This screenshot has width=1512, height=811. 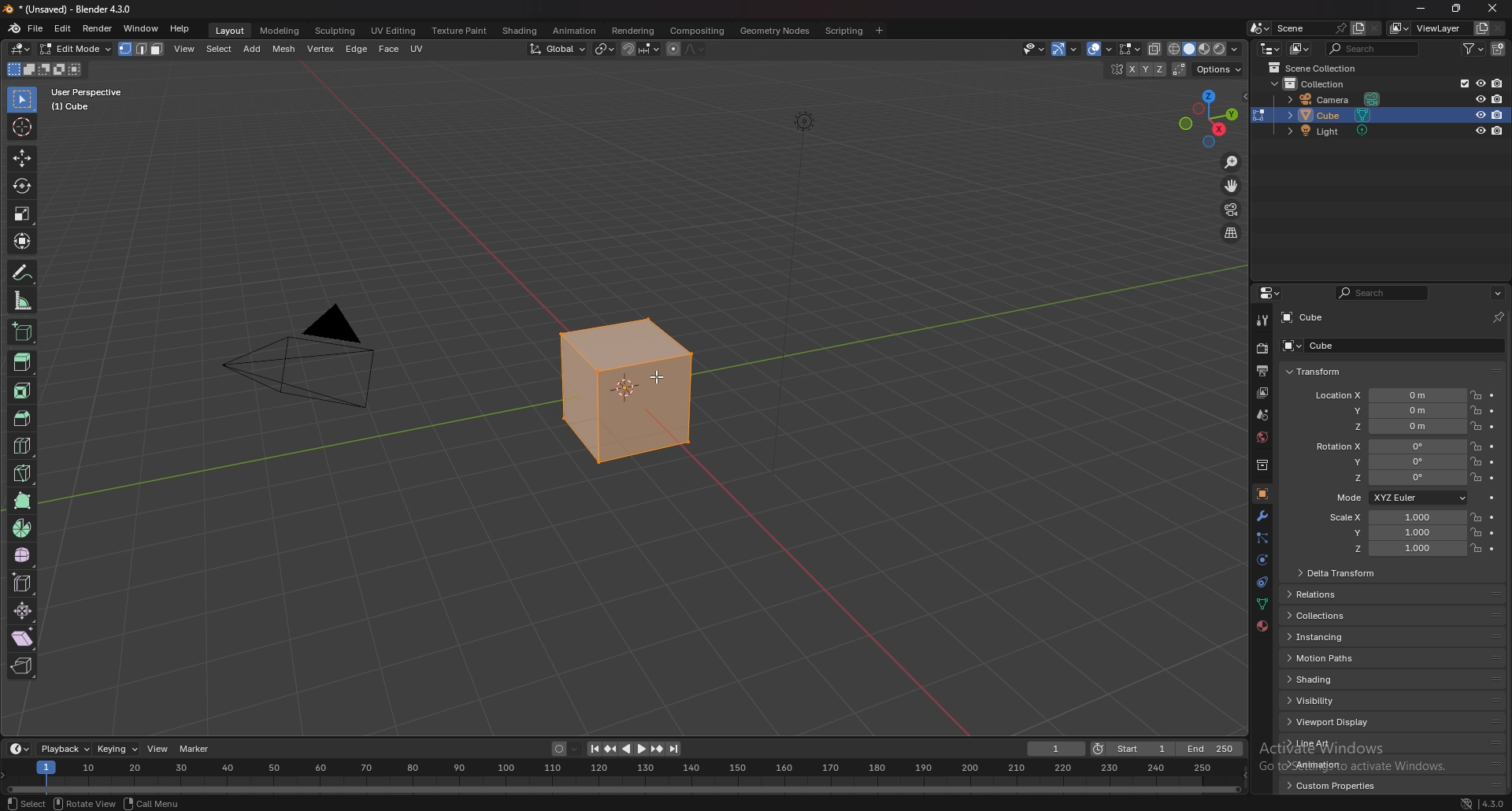 What do you see at coordinates (1492, 549) in the screenshot?
I see `animate property` at bounding box center [1492, 549].